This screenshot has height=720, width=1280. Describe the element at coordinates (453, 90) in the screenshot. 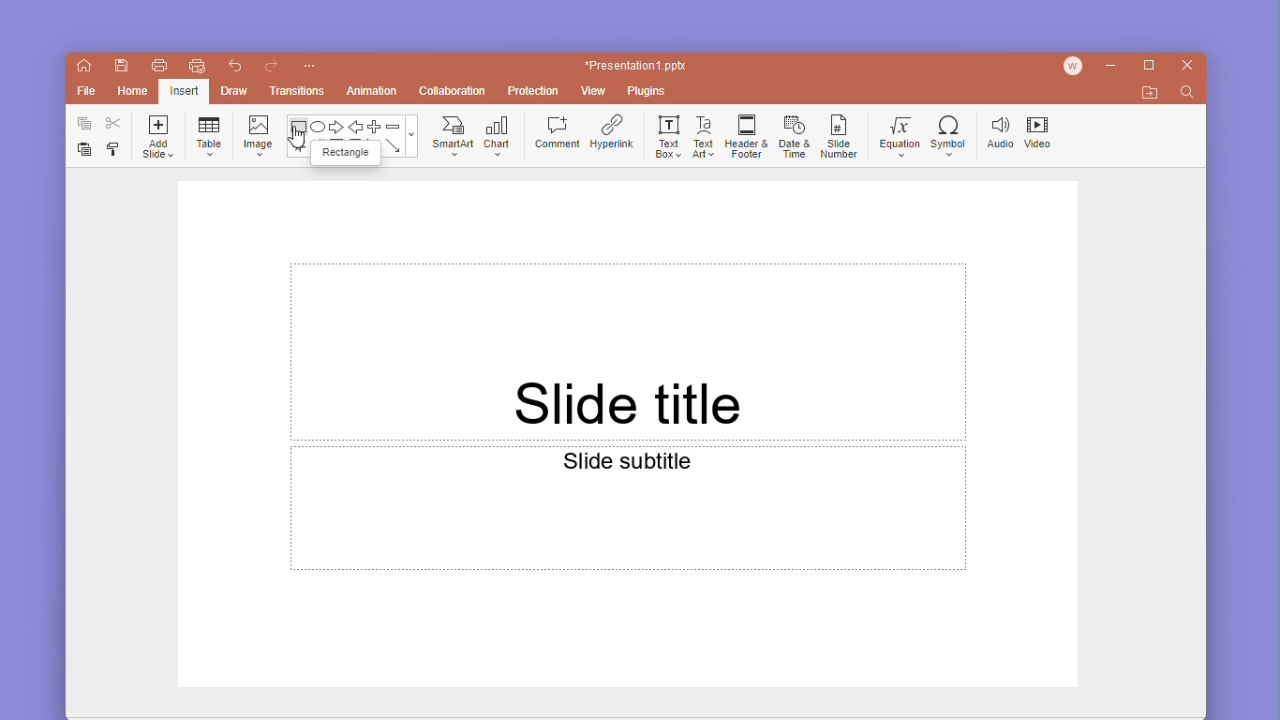

I see `collaboration` at that location.